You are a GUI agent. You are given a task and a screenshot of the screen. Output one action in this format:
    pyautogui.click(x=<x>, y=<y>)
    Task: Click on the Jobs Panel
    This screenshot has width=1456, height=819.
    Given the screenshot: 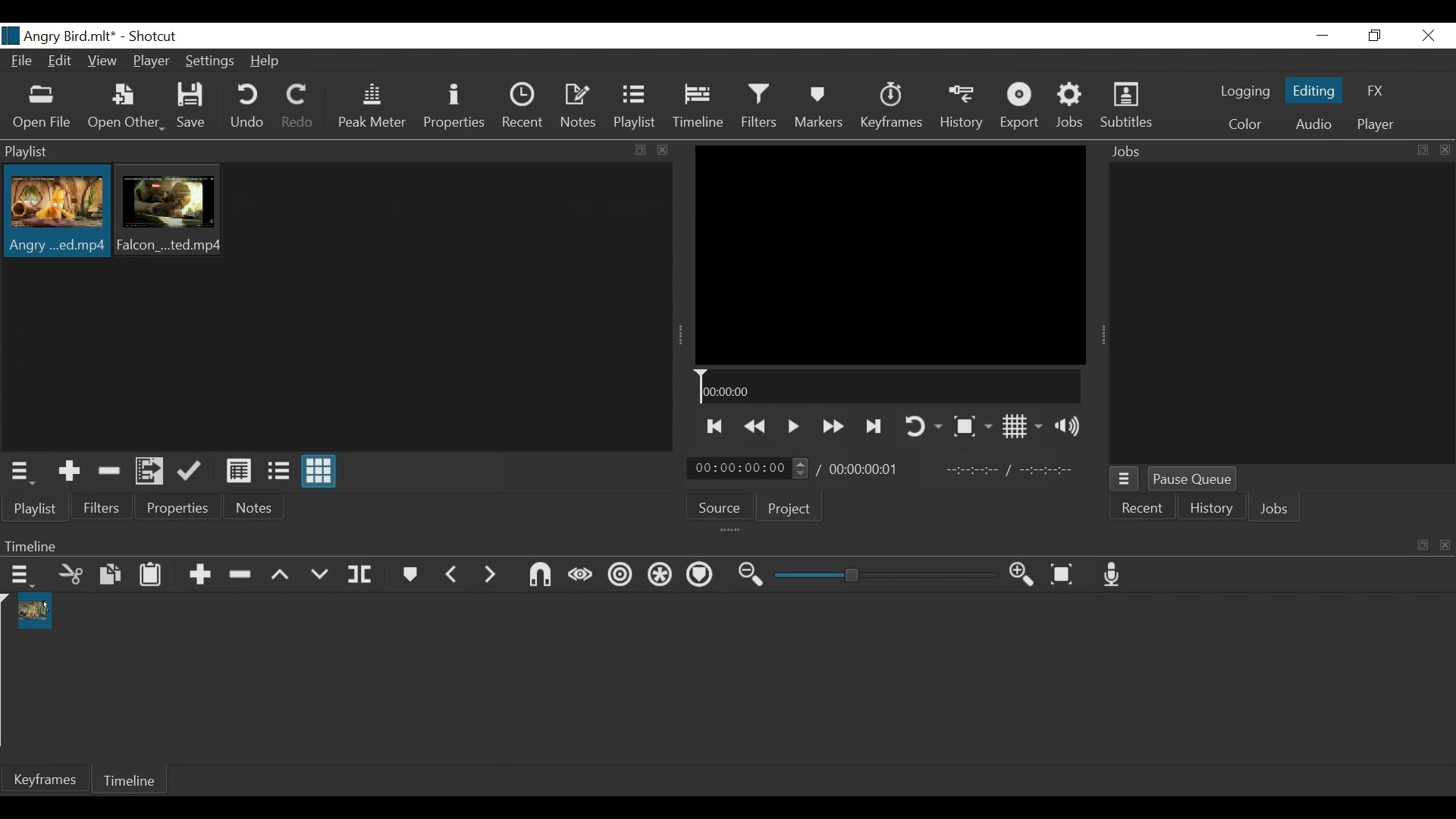 What is the action you would take?
    pyautogui.click(x=1275, y=152)
    